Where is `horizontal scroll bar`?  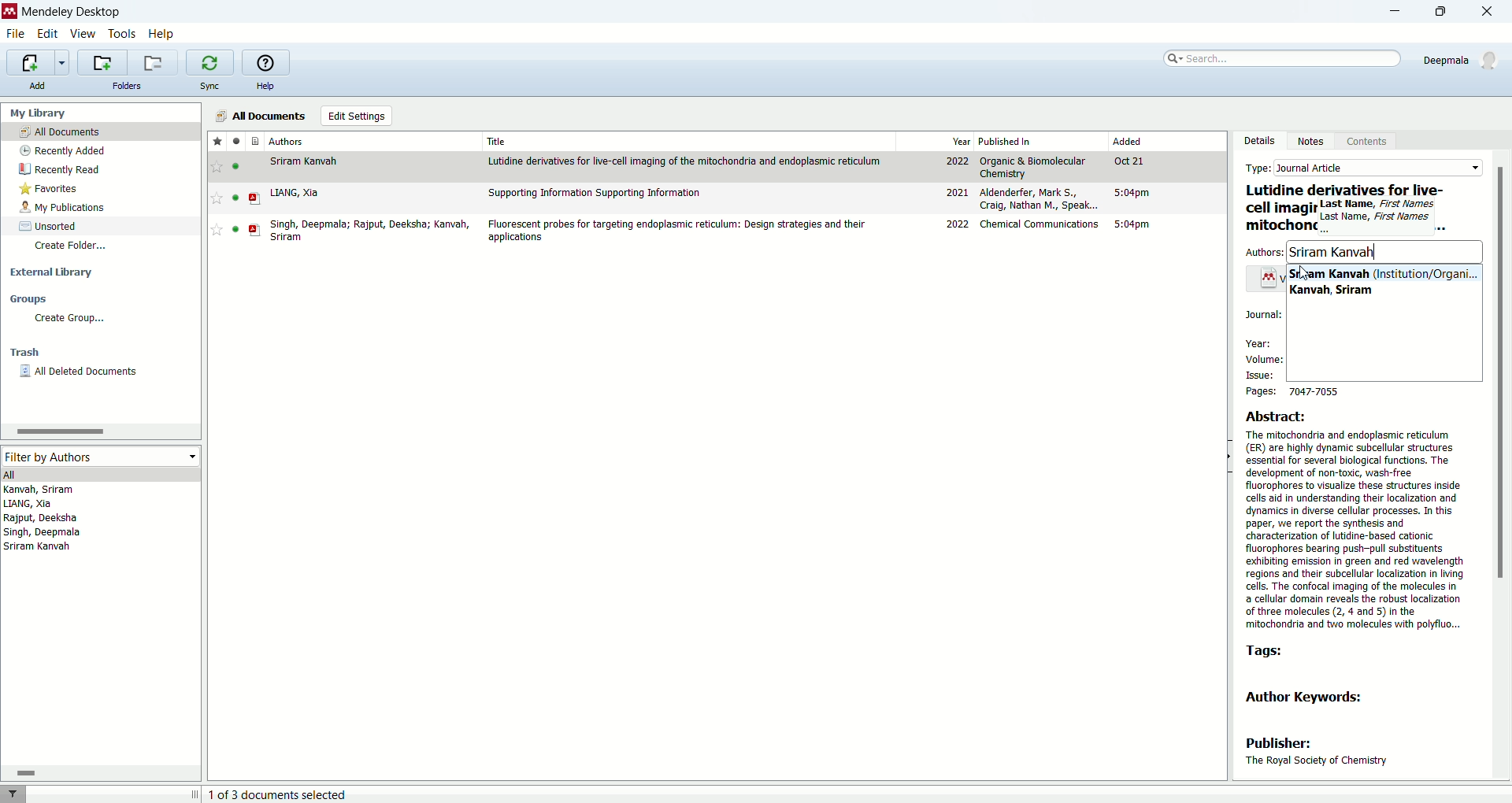
horizontal scroll bar is located at coordinates (102, 773).